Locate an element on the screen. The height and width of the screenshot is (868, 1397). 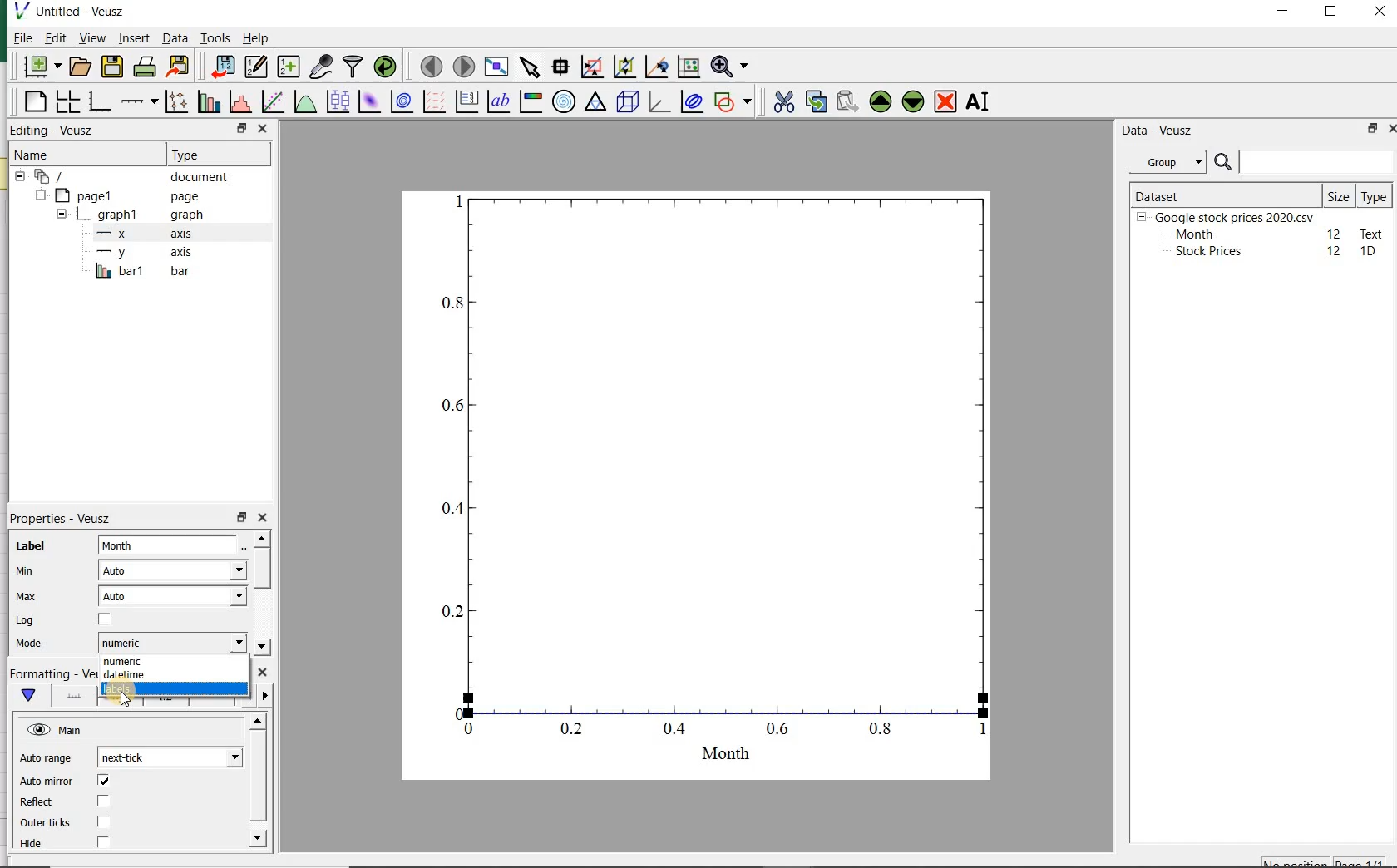
blank page is located at coordinates (34, 104).